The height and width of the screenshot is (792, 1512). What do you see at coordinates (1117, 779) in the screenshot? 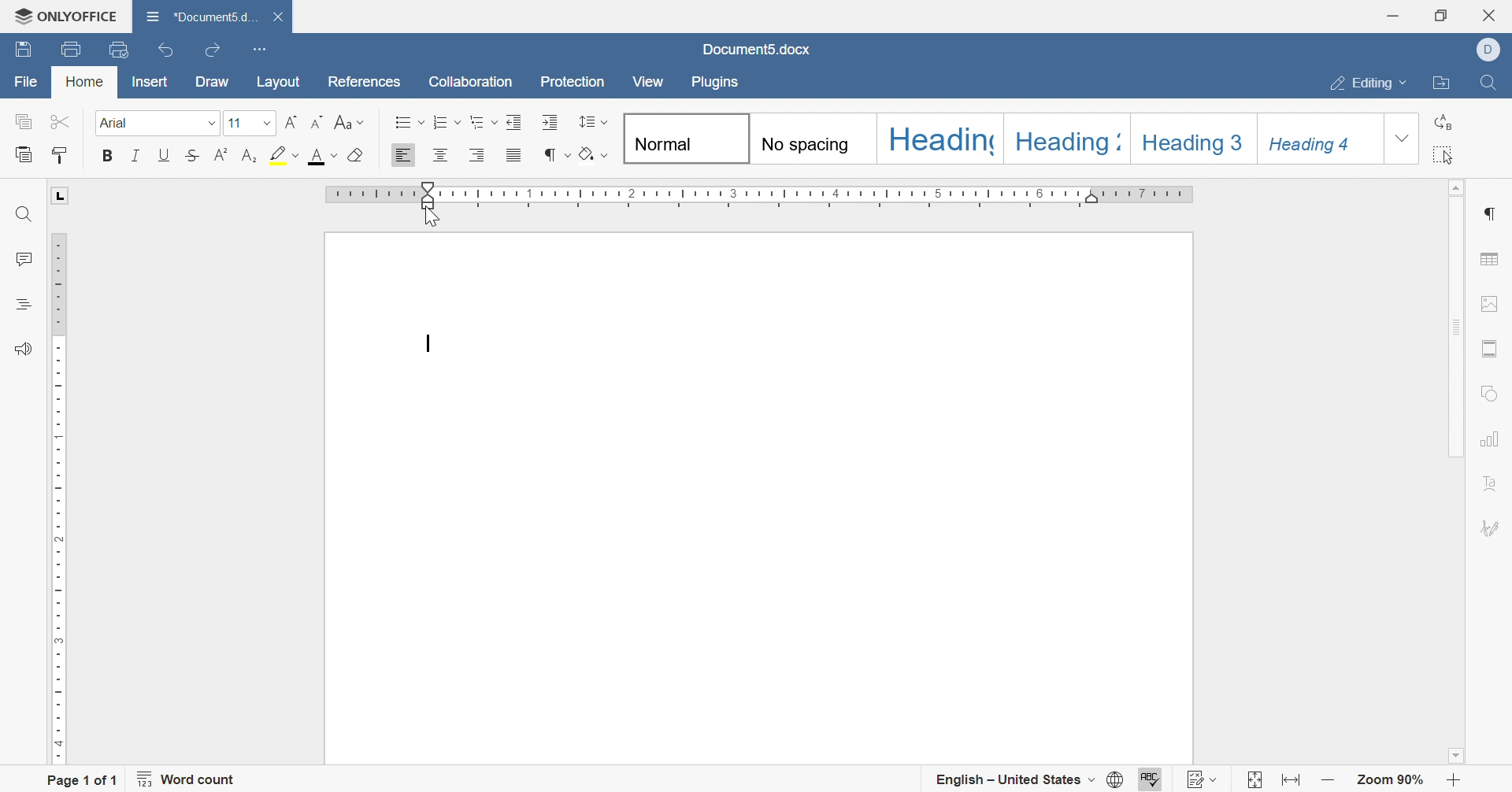
I see `set document language` at bounding box center [1117, 779].